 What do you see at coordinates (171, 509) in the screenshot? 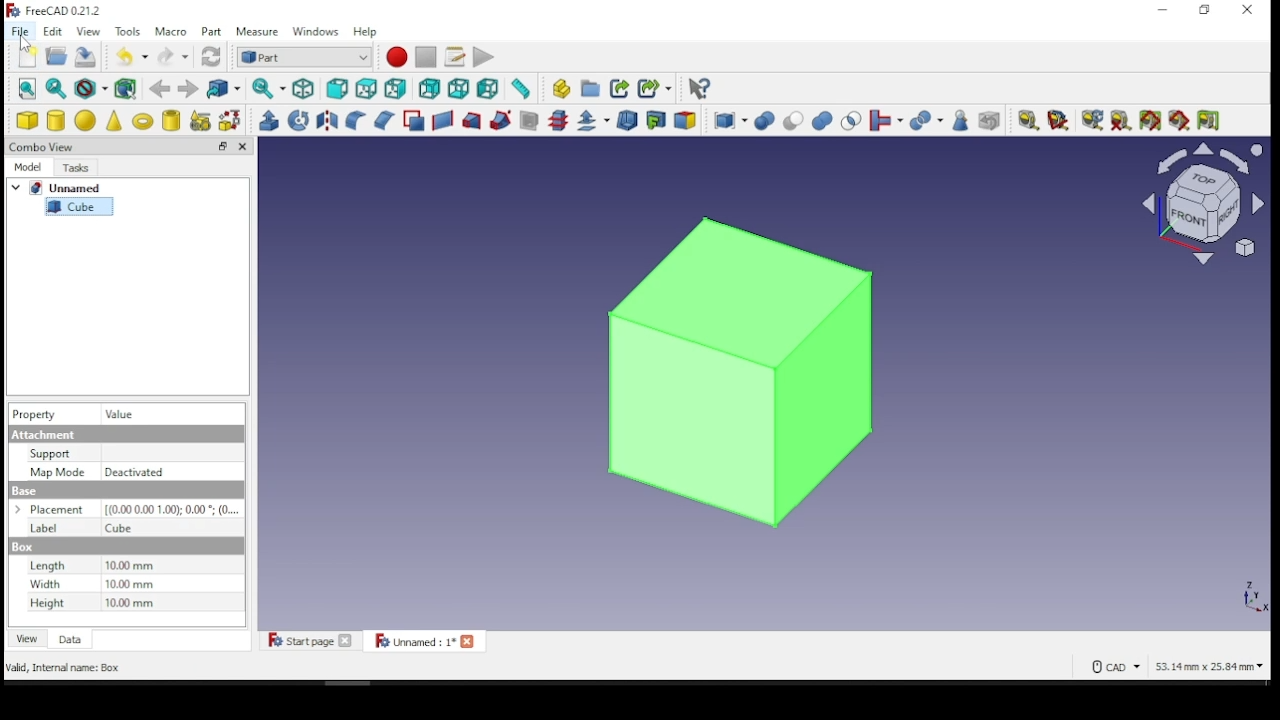
I see `0,000,00` at bounding box center [171, 509].